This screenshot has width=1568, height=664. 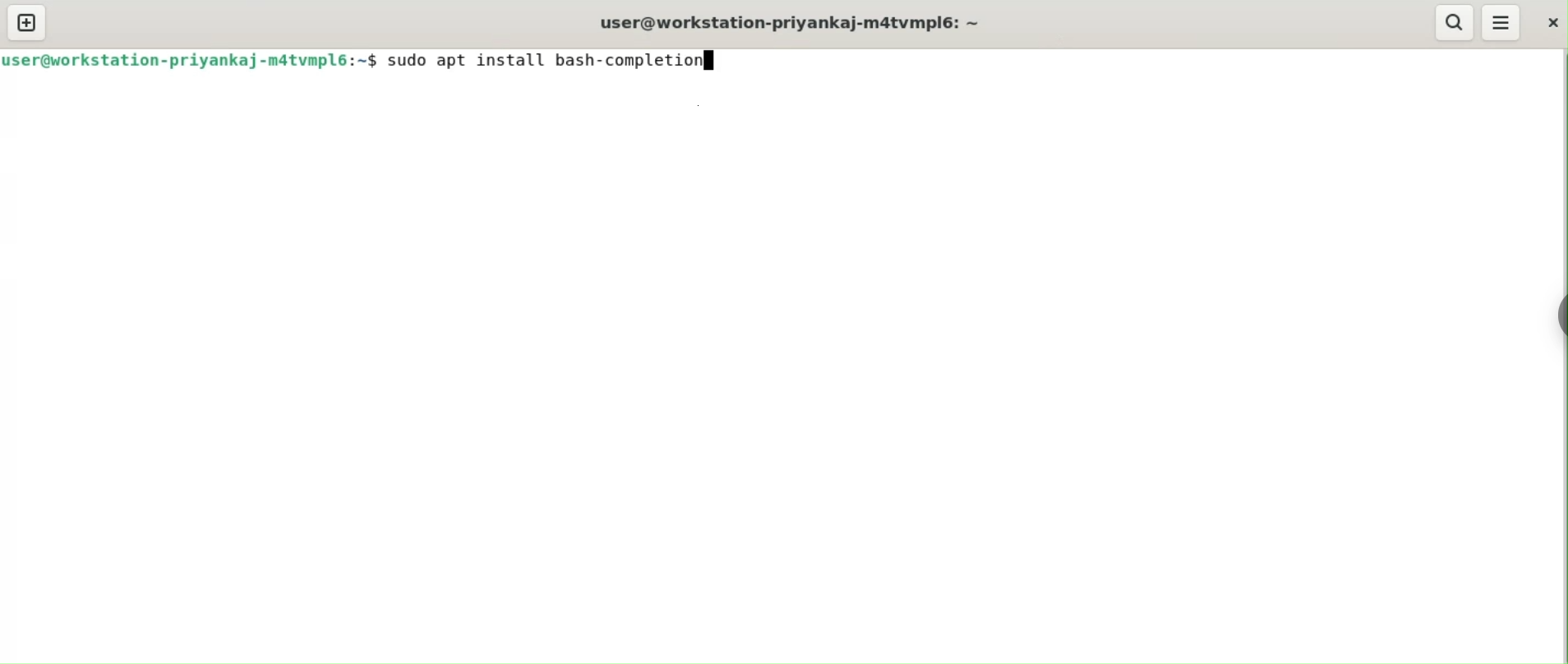 I want to click on search, so click(x=1454, y=22).